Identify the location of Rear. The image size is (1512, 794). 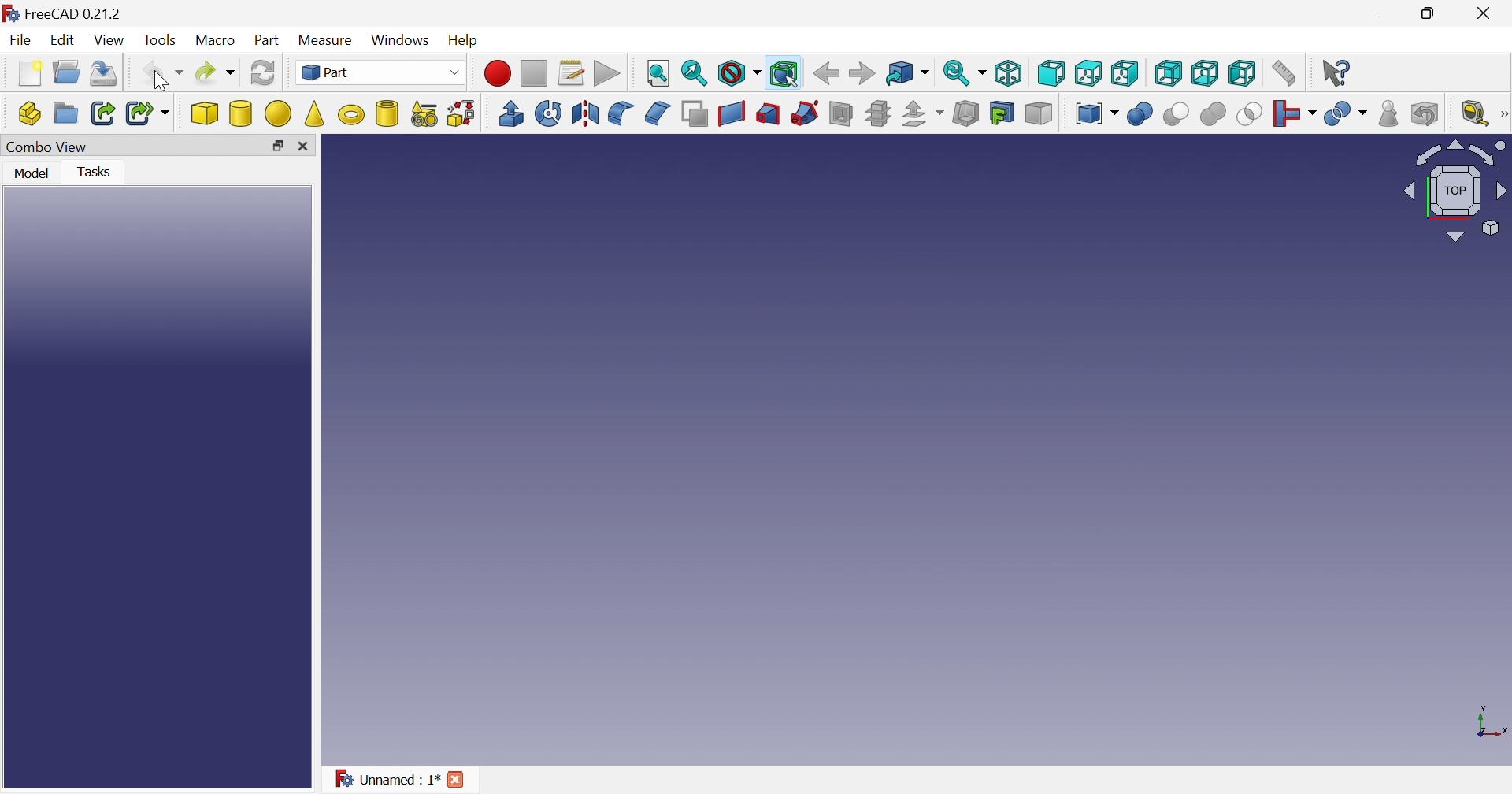
(1205, 72).